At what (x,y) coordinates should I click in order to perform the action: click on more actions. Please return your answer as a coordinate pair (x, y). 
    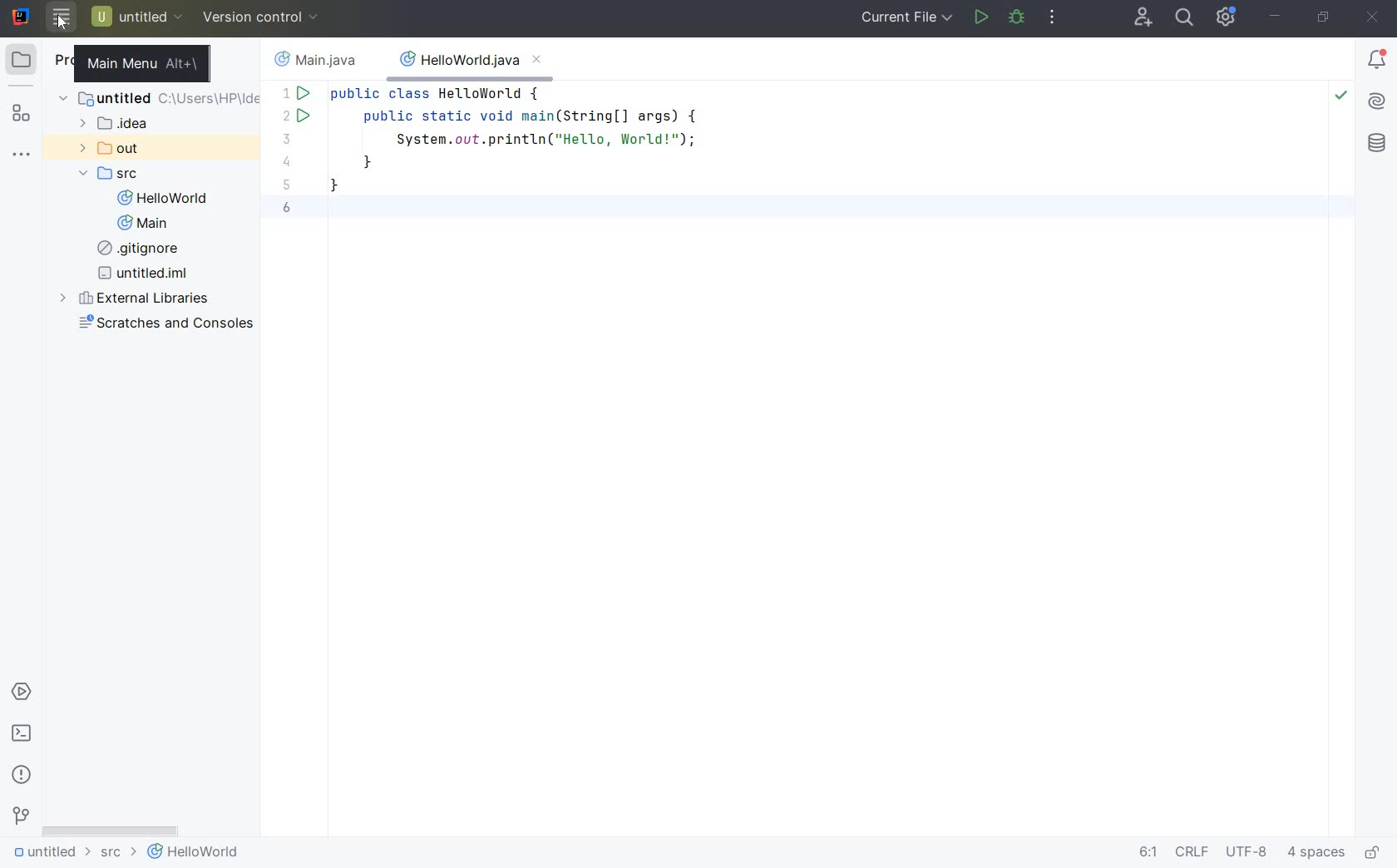
    Looking at the image, I should click on (1054, 16).